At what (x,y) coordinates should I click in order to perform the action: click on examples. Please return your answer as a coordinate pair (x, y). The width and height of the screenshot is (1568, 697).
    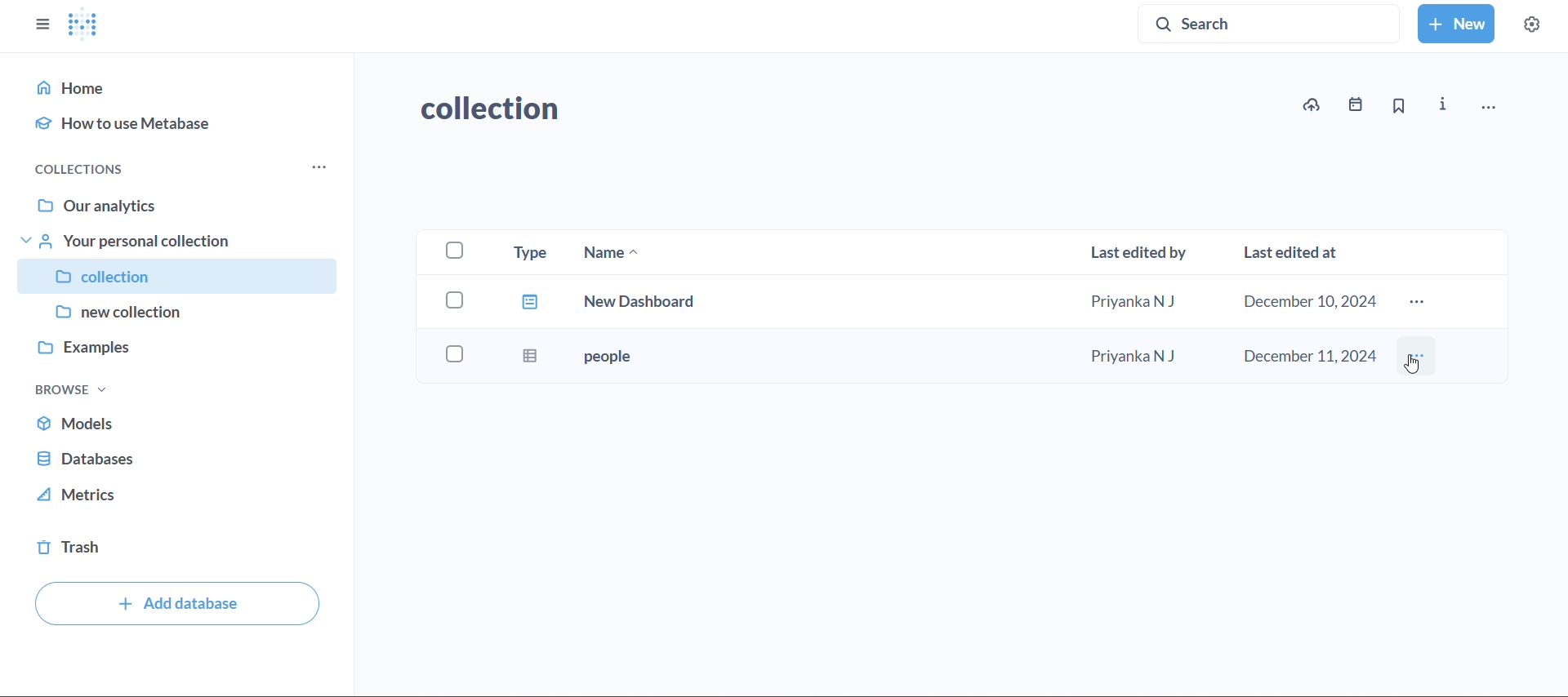
    Looking at the image, I should click on (176, 354).